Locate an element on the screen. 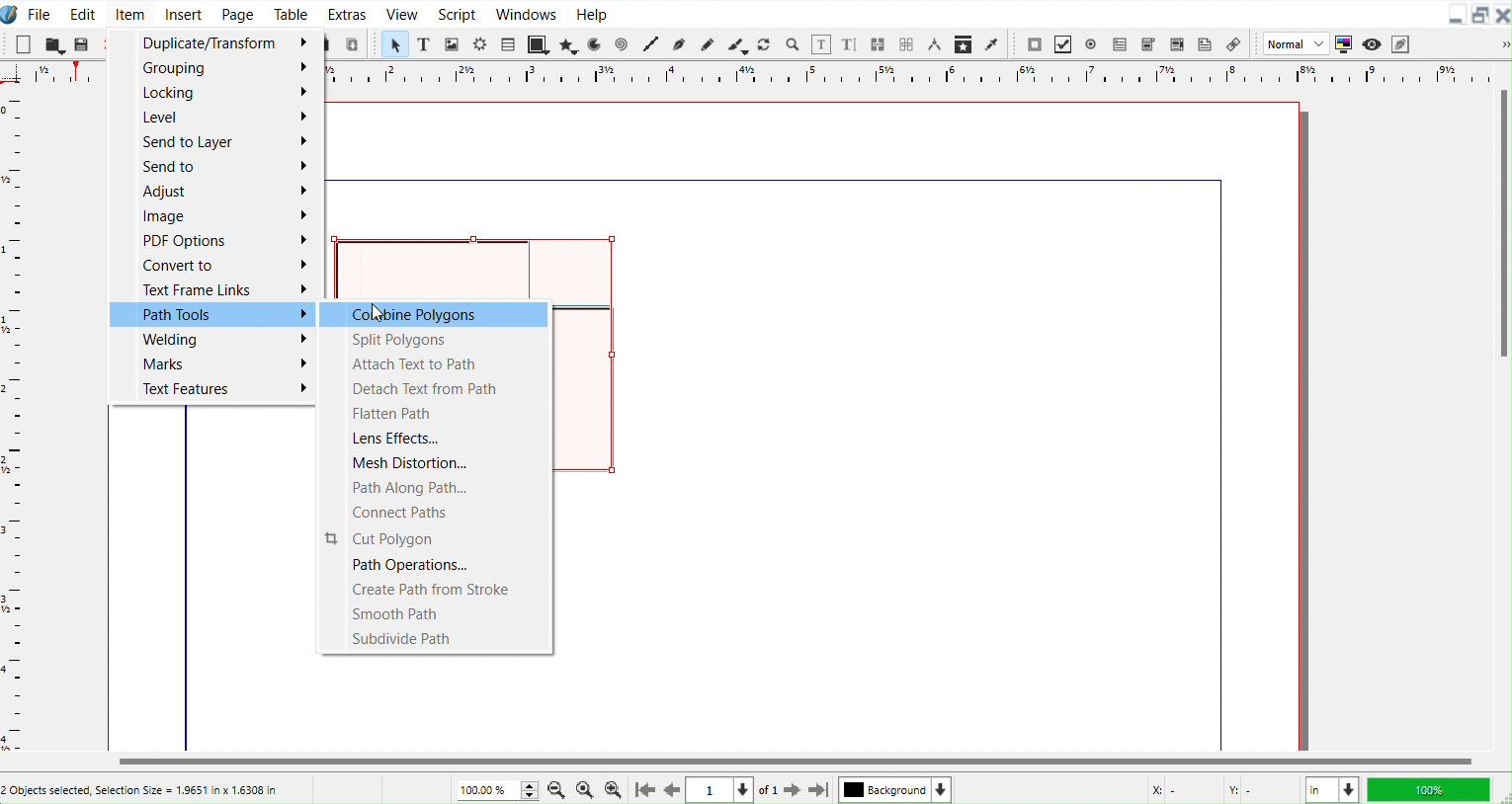 This screenshot has height=804, width=1512. Maximize is located at coordinates (1481, 15).